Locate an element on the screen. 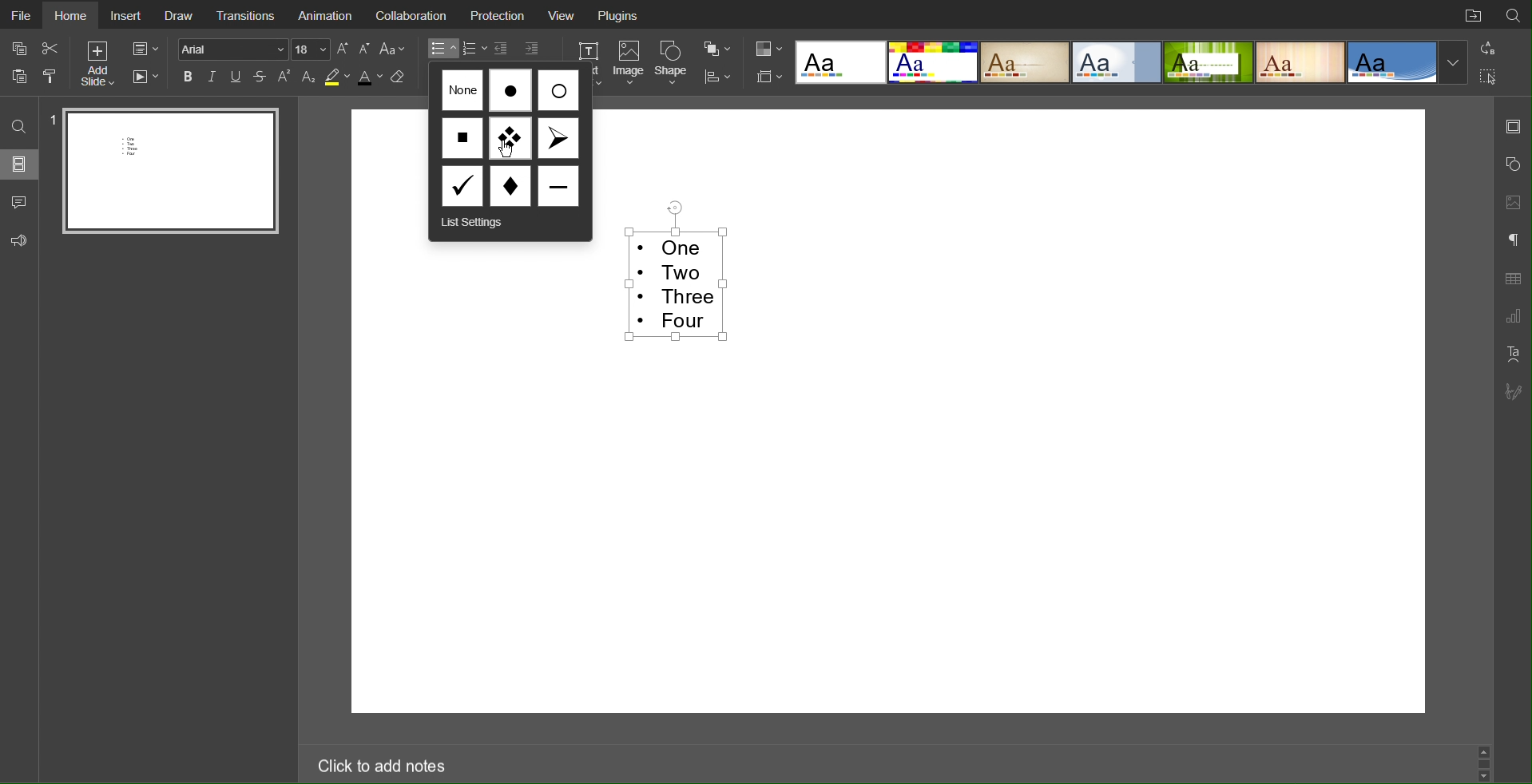 This screenshot has height=784, width=1532. Table is located at coordinates (1514, 278).